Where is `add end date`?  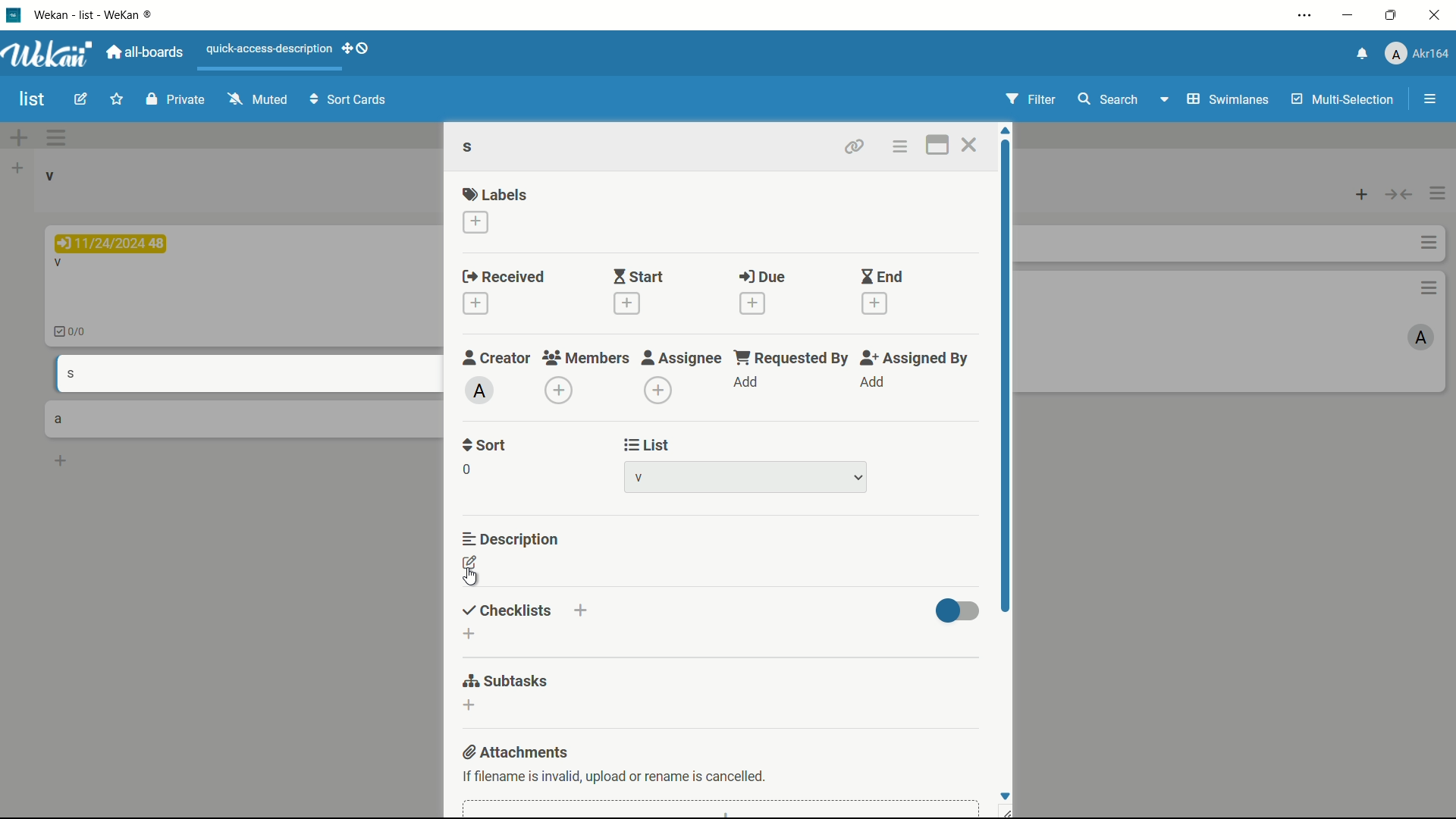
add end date is located at coordinates (876, 304).